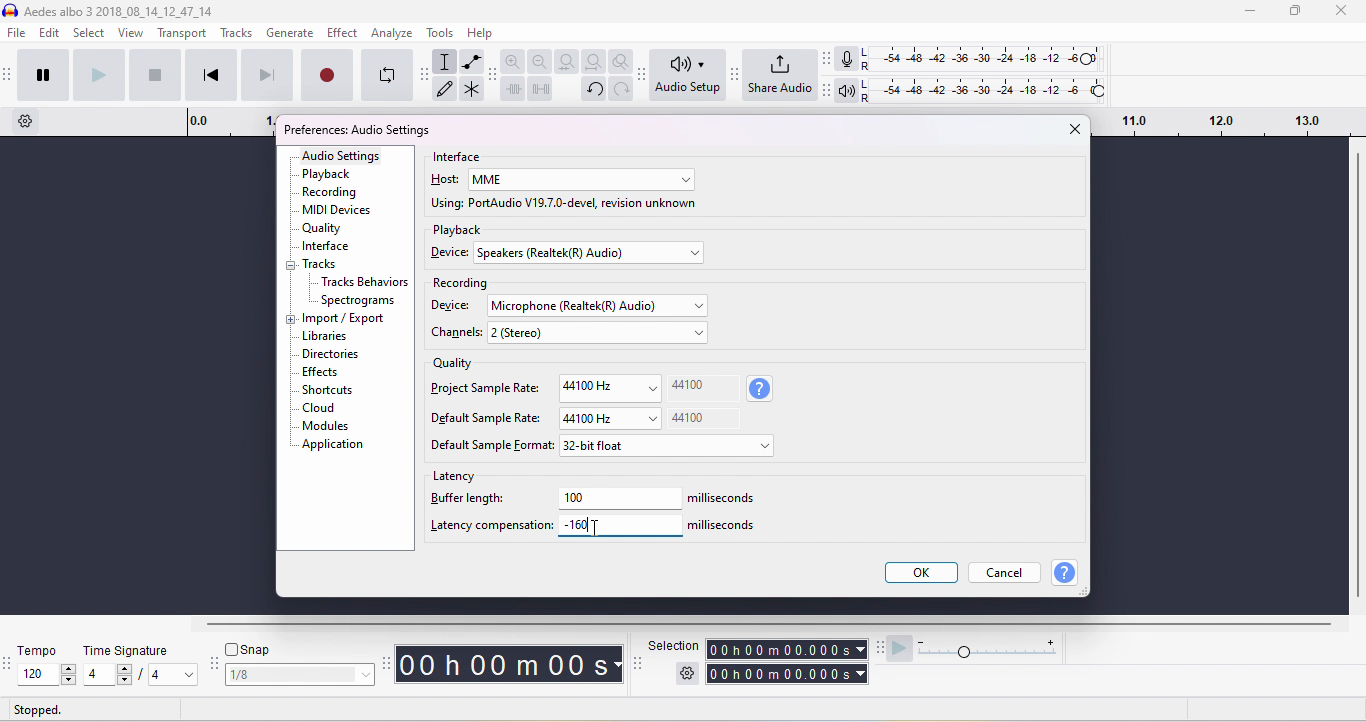 The height and width of the screenshot is (722, 1366). What do you see at coordinates (18, 34) in the screenshot?
I see `file` at bounding box center [18, 34].